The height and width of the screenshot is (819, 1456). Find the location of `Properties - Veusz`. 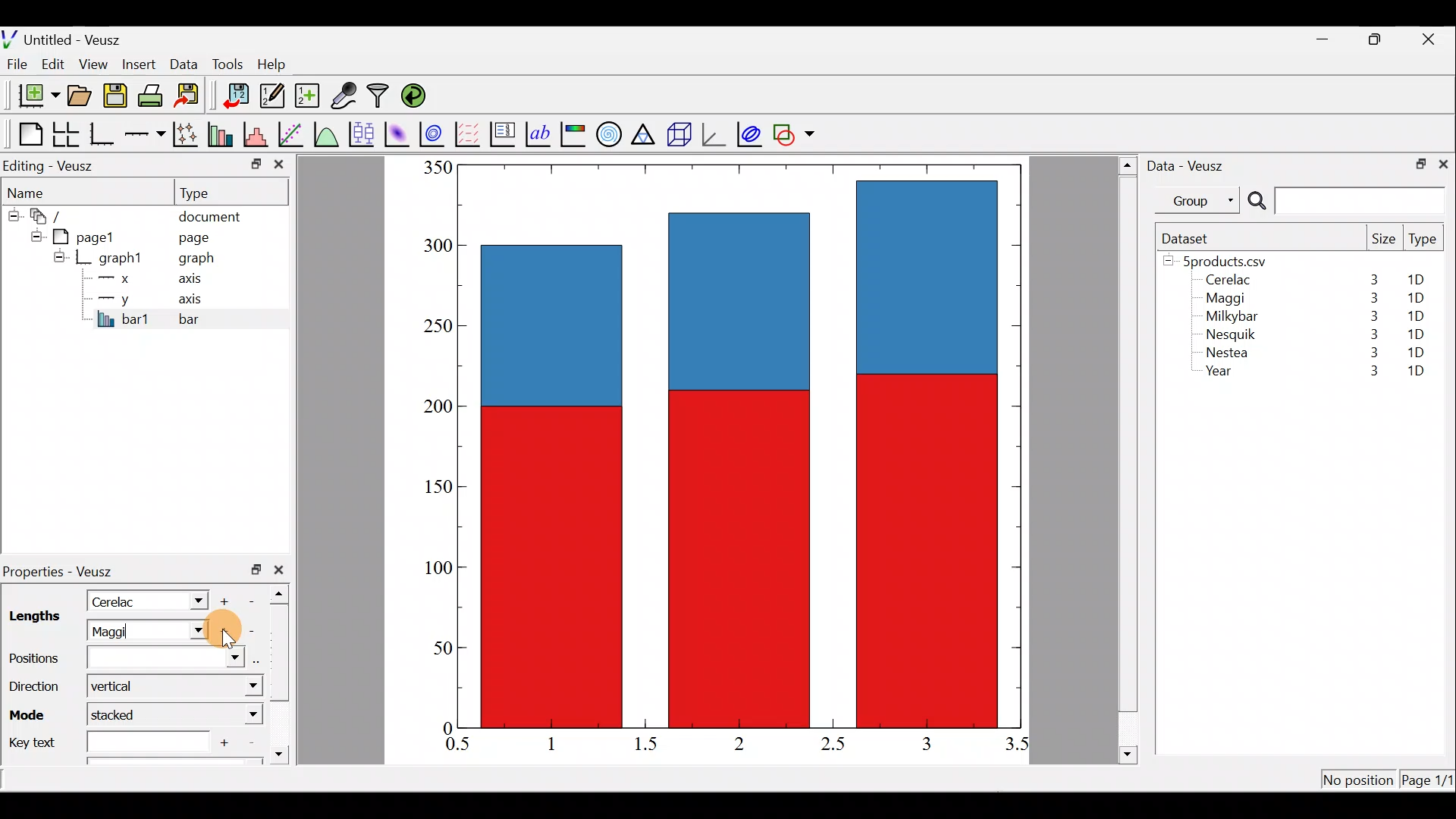

Properties - Veusz is located at coordinates (64, 572).